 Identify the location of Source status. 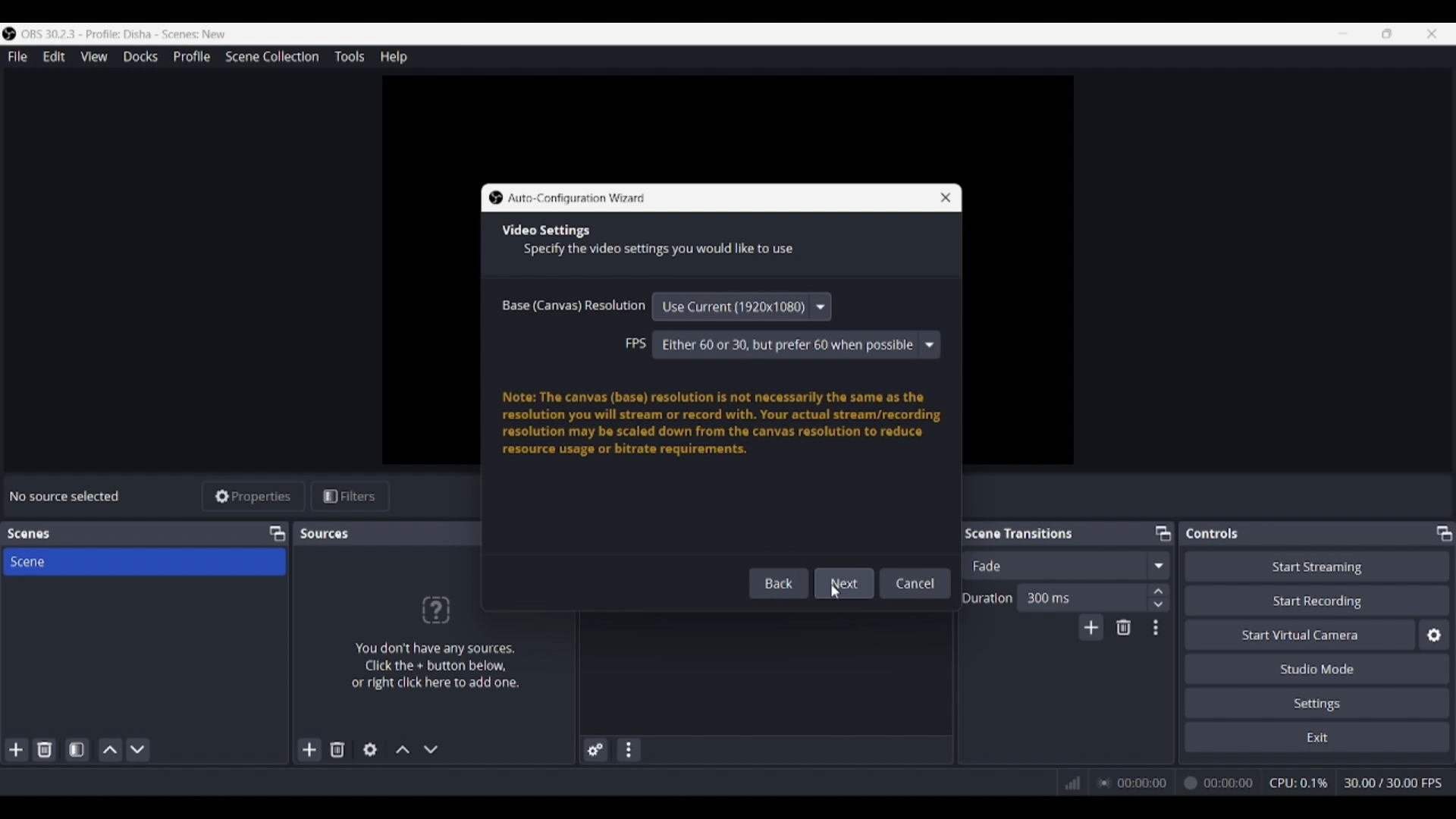
(67, 496).